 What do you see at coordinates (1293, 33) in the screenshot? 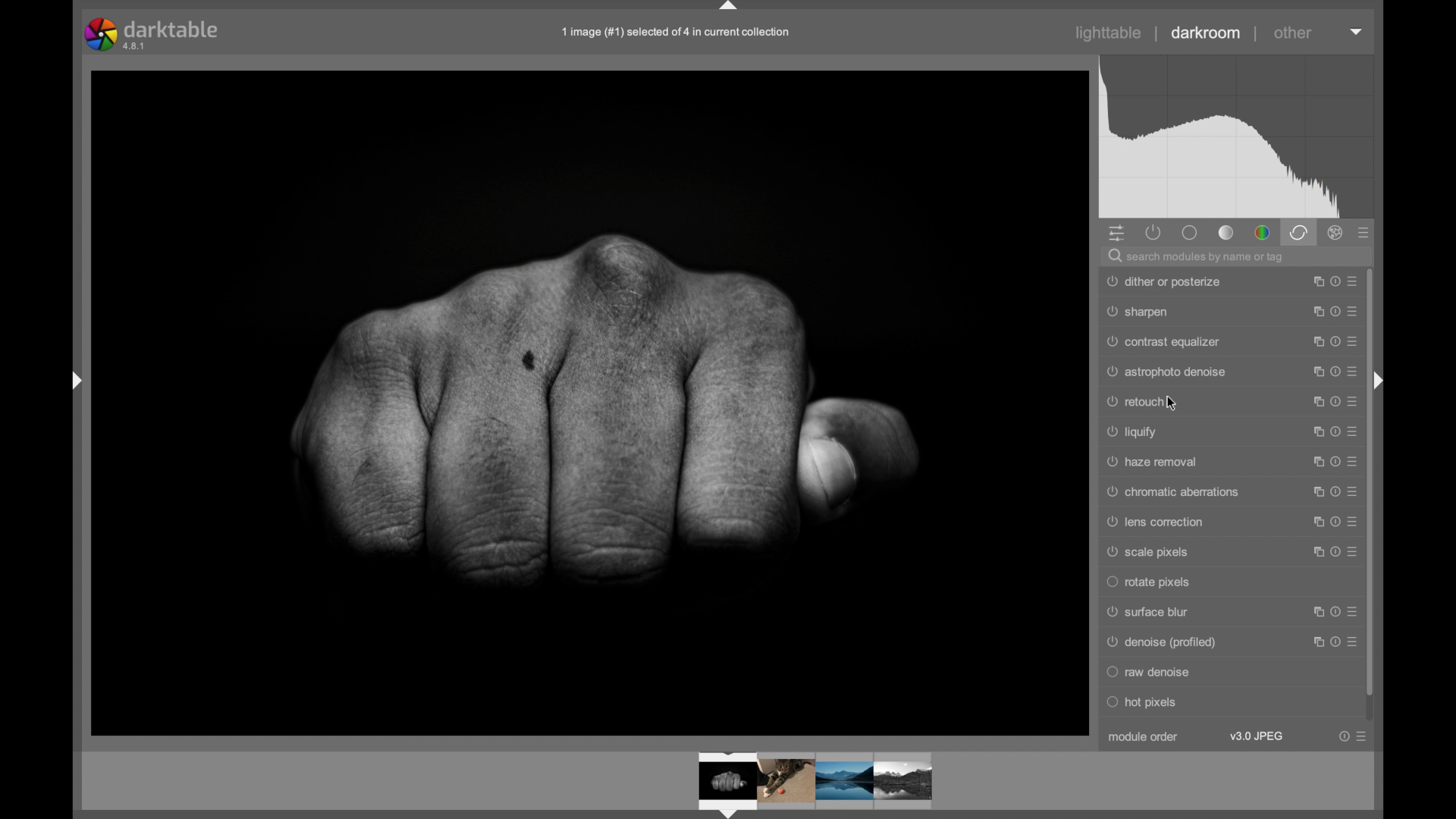
I see `other` at bounding box center [1293, 33].